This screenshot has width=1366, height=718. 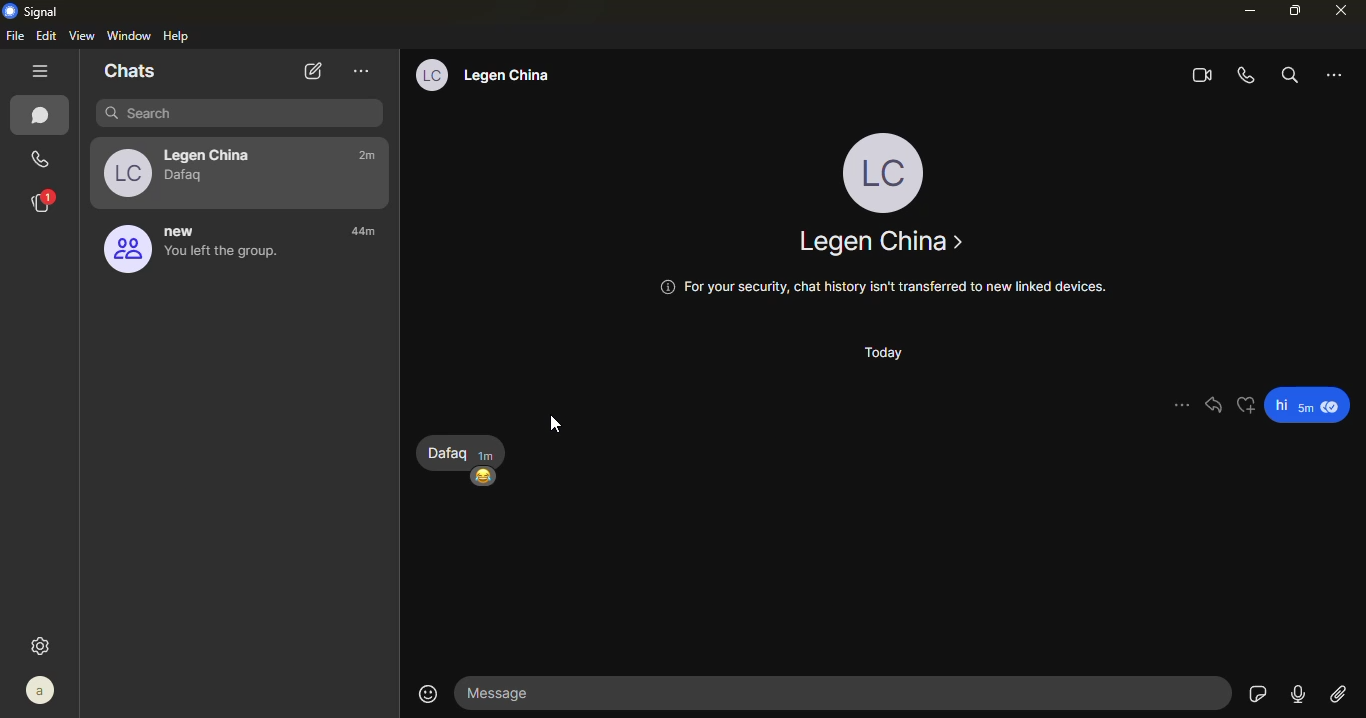 I want to click on help, so click(x=178, y=36).